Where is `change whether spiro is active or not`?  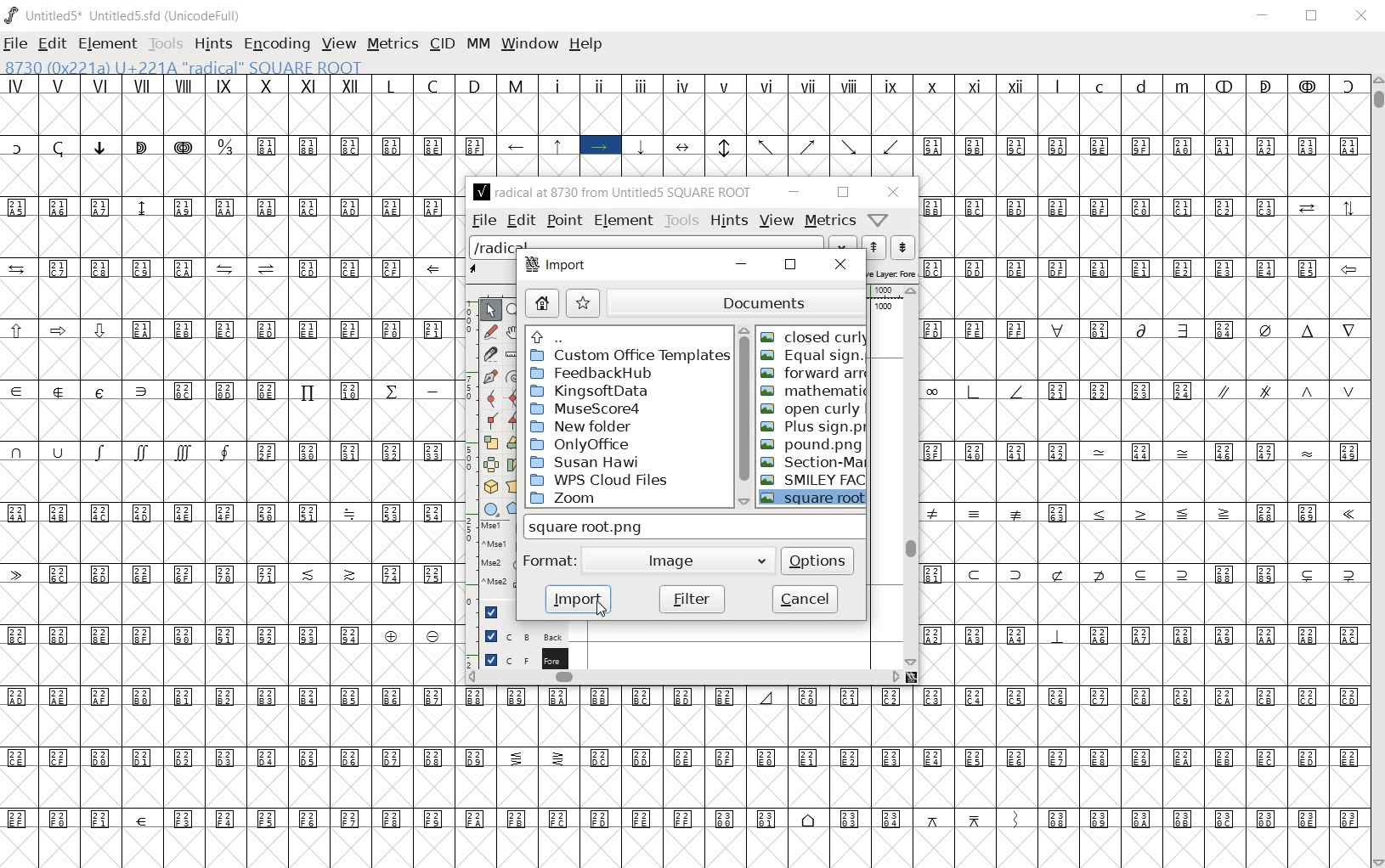 change whether spiro is active or not is located at coordinates (515, 376).